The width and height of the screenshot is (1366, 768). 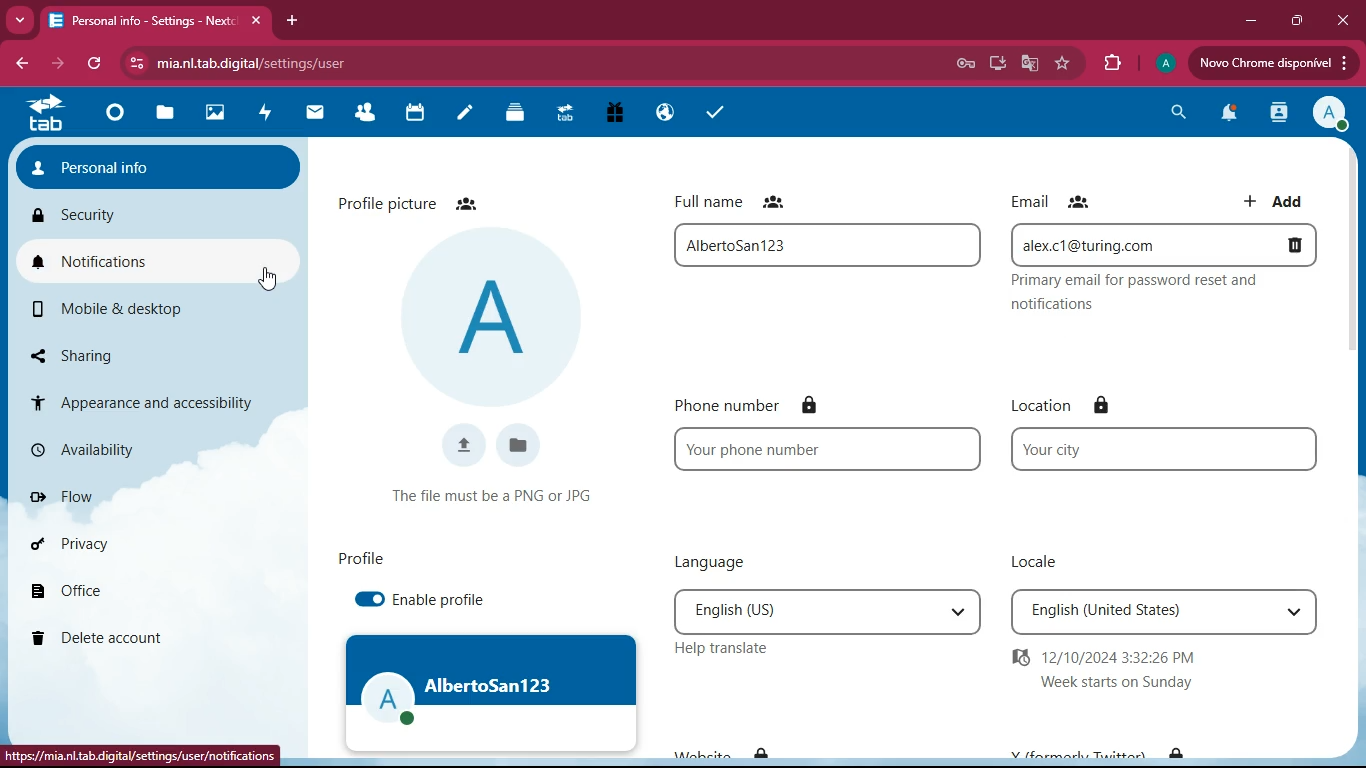 I want to click on public, so click(x=660, y=114).